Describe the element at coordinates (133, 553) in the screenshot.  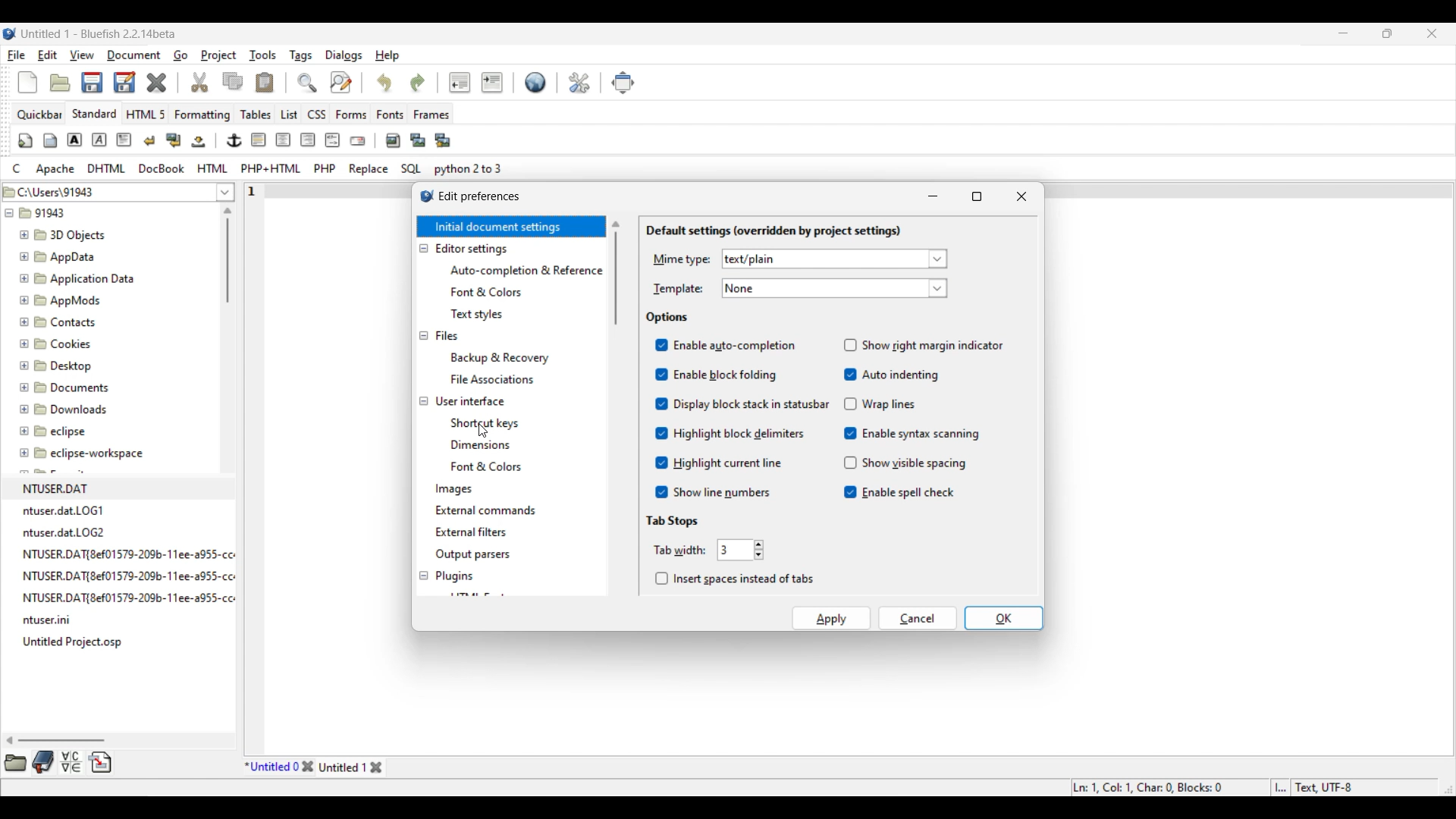
I see `NTUSER.DAT{8f01579-209b-11ee-2955-cc:` at that location.